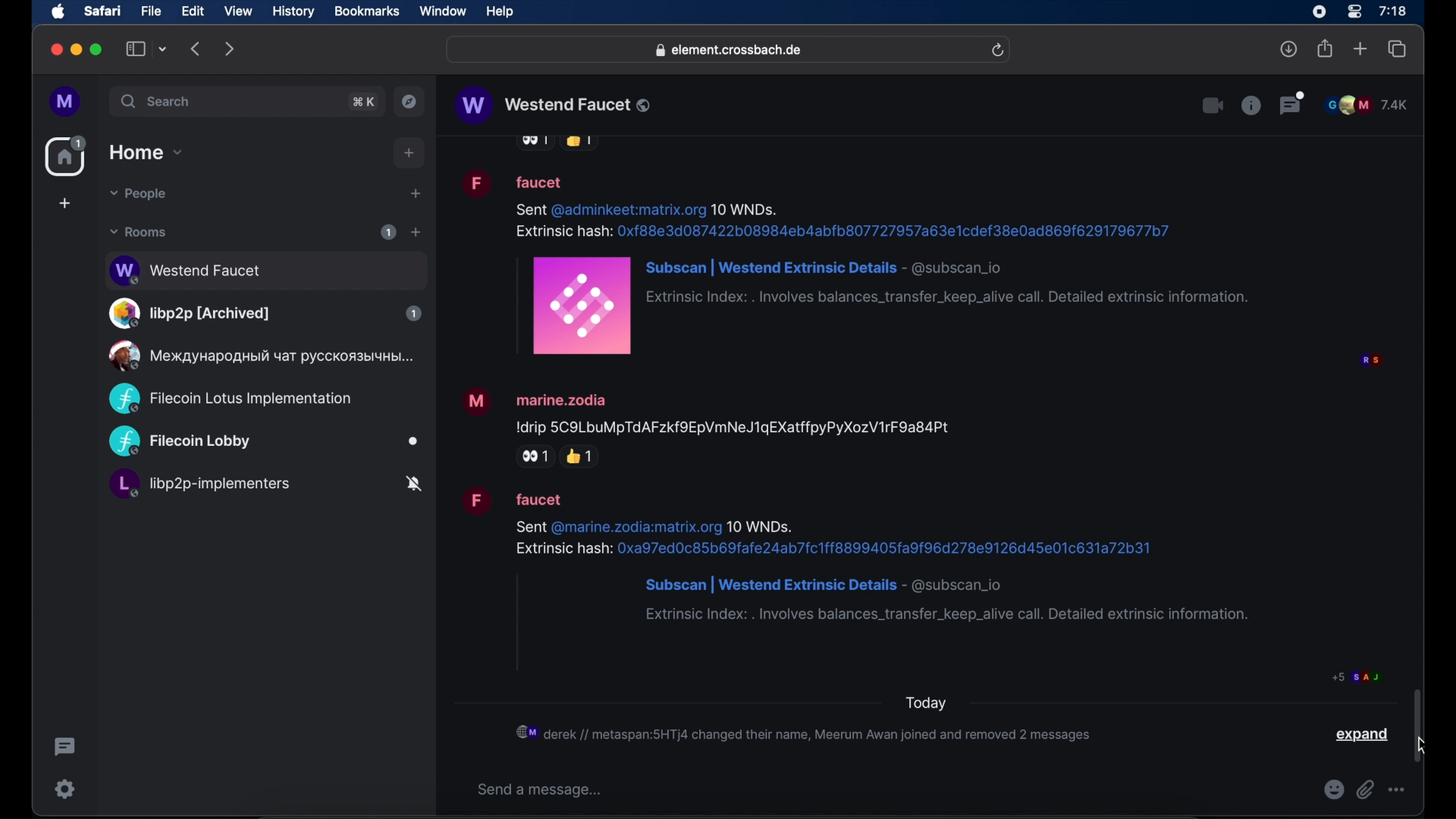  Describe the element at coordinates (259, 356) in the screenshot. I see `public room` at that location.